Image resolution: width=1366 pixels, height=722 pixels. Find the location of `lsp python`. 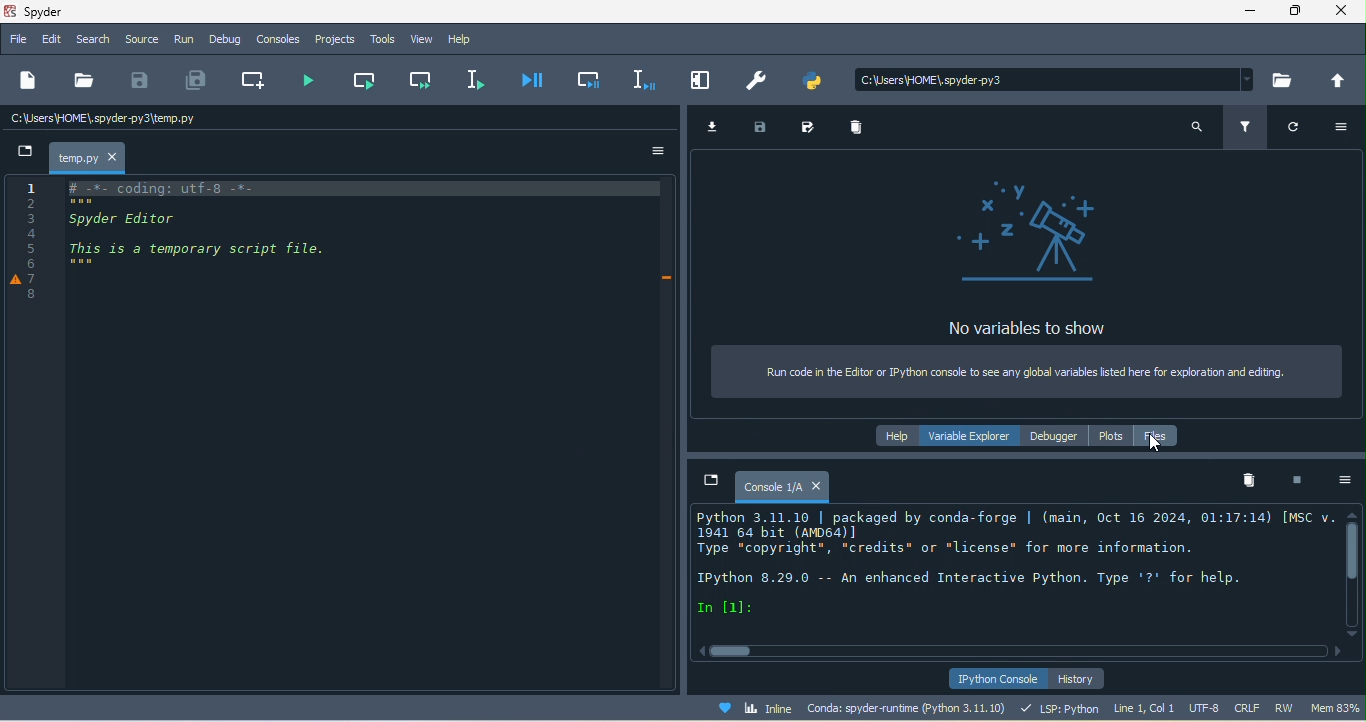

lsp python is located at coordinates (1059, 707).